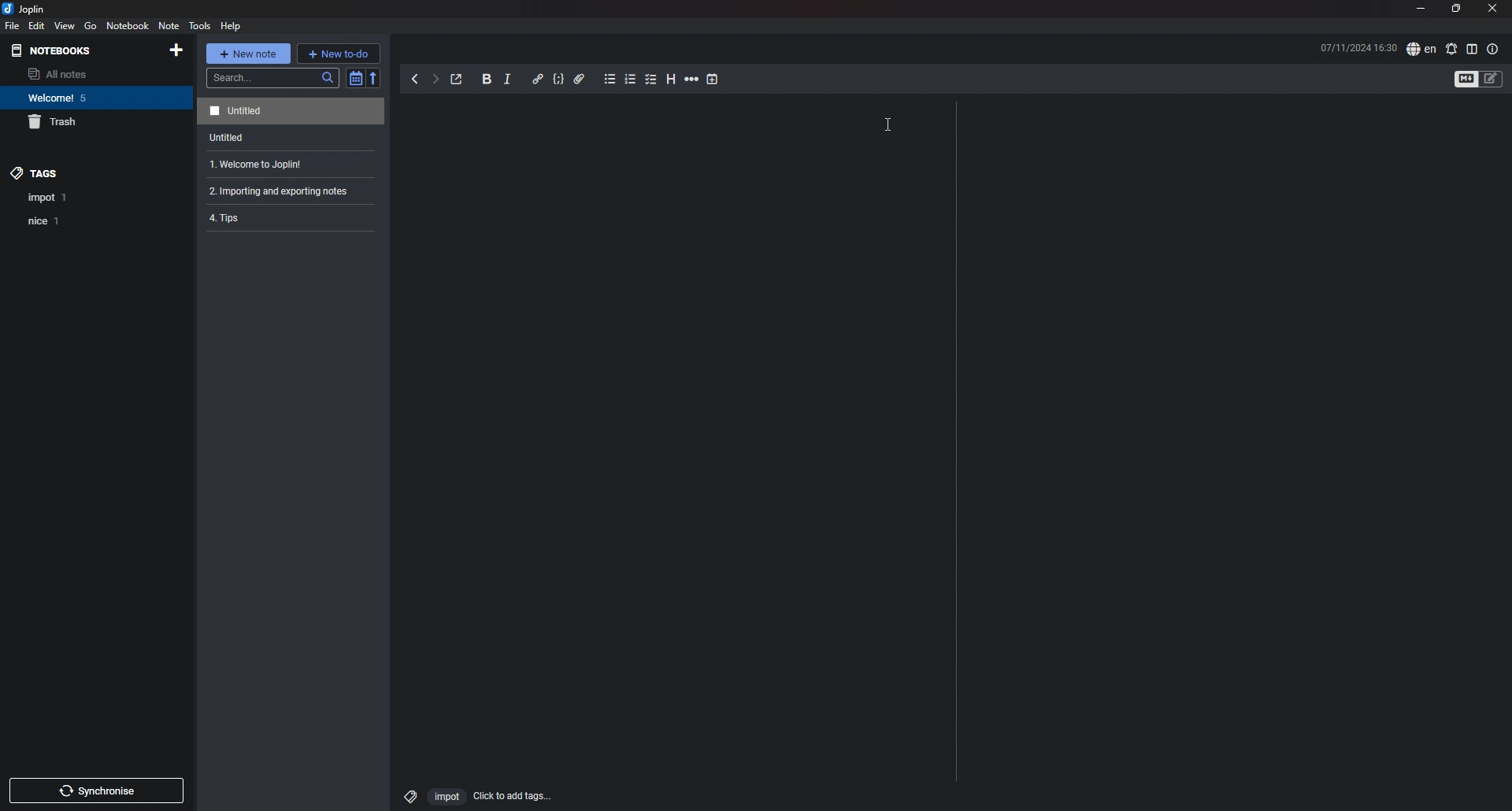 The width and height of the screenshot is (1512, 811). What do you see at coordinates (1492, 79) in the screenshot?
I see `toggle editors` at bounding box center [1492, 79].